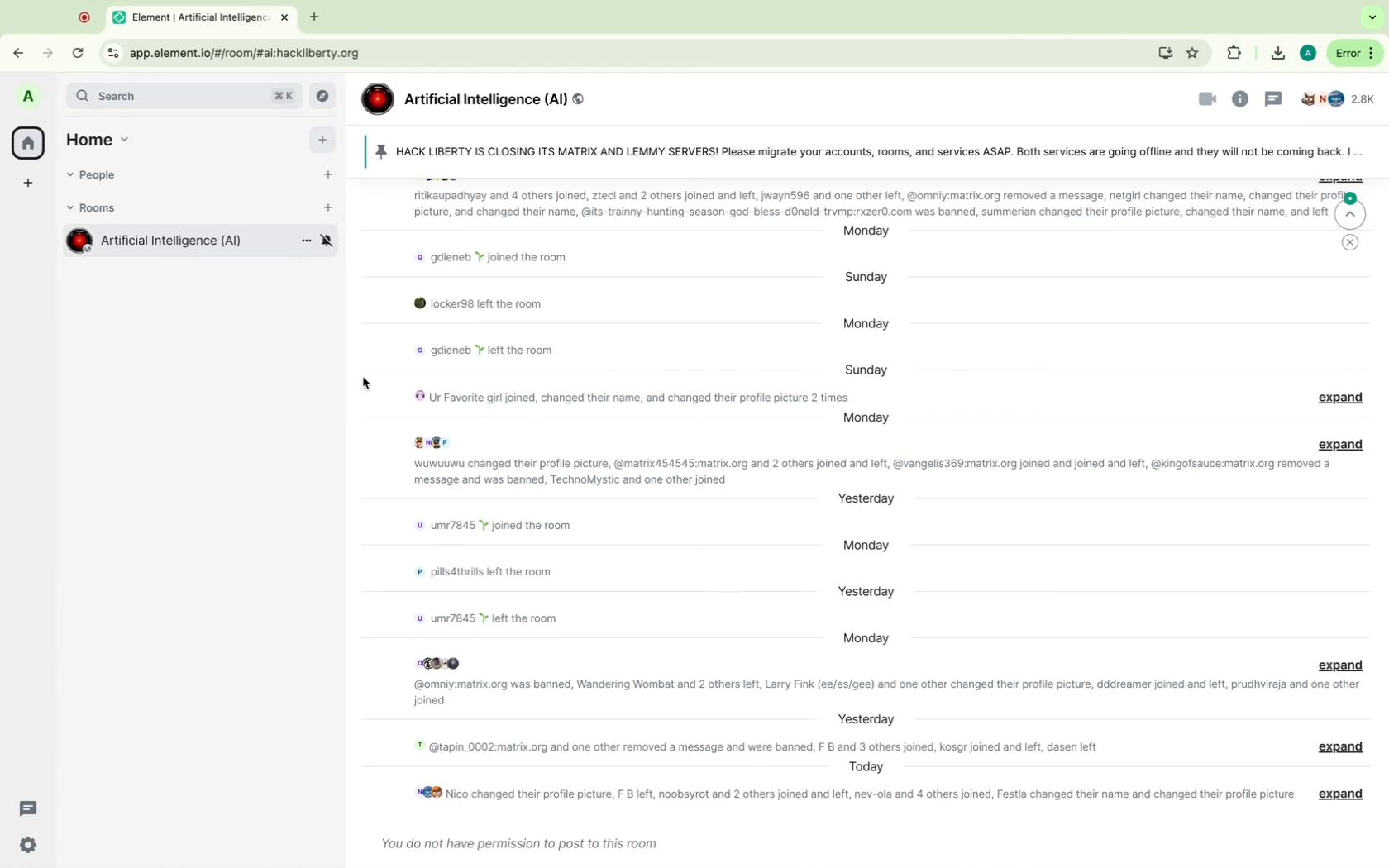 Image resolution: width=1389 pixels, height=868 pixels. What do you see at coordinates (30, 844) in the screenshot?
I see `quick settings` at bounding box center [30, 844].